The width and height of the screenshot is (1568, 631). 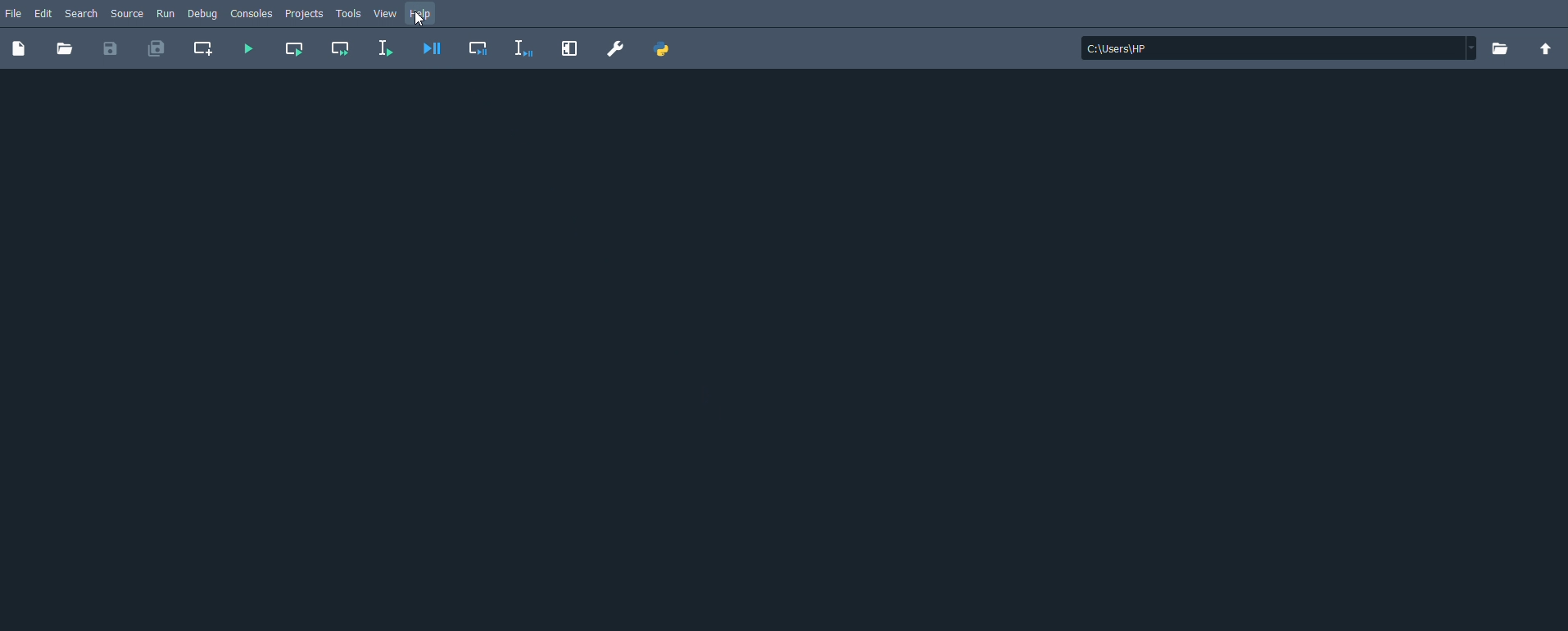 I want to click on Create new cell at the current line, so click(x=206, y=48).